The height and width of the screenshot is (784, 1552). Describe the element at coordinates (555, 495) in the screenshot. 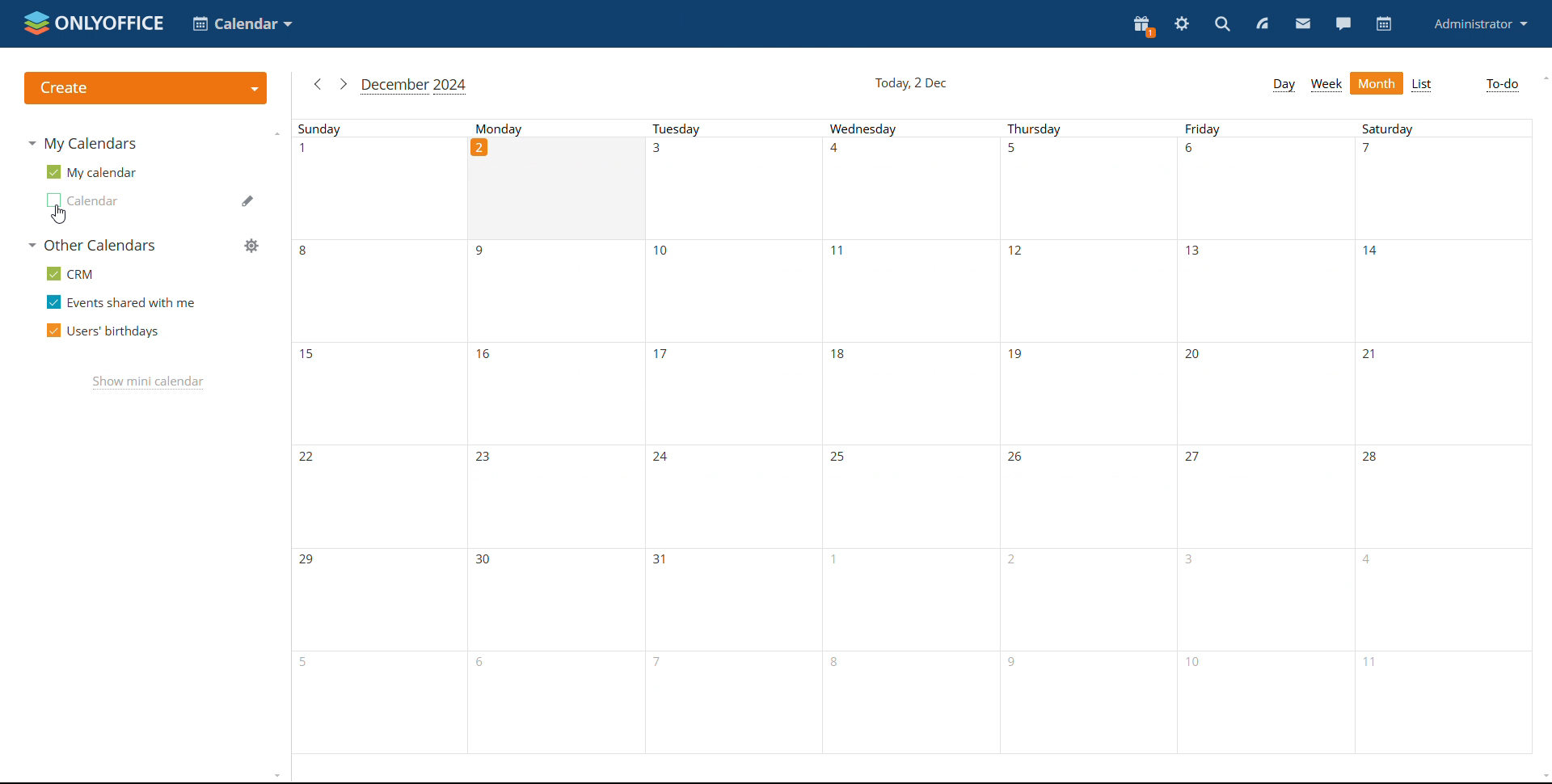

I see `23` at that location.